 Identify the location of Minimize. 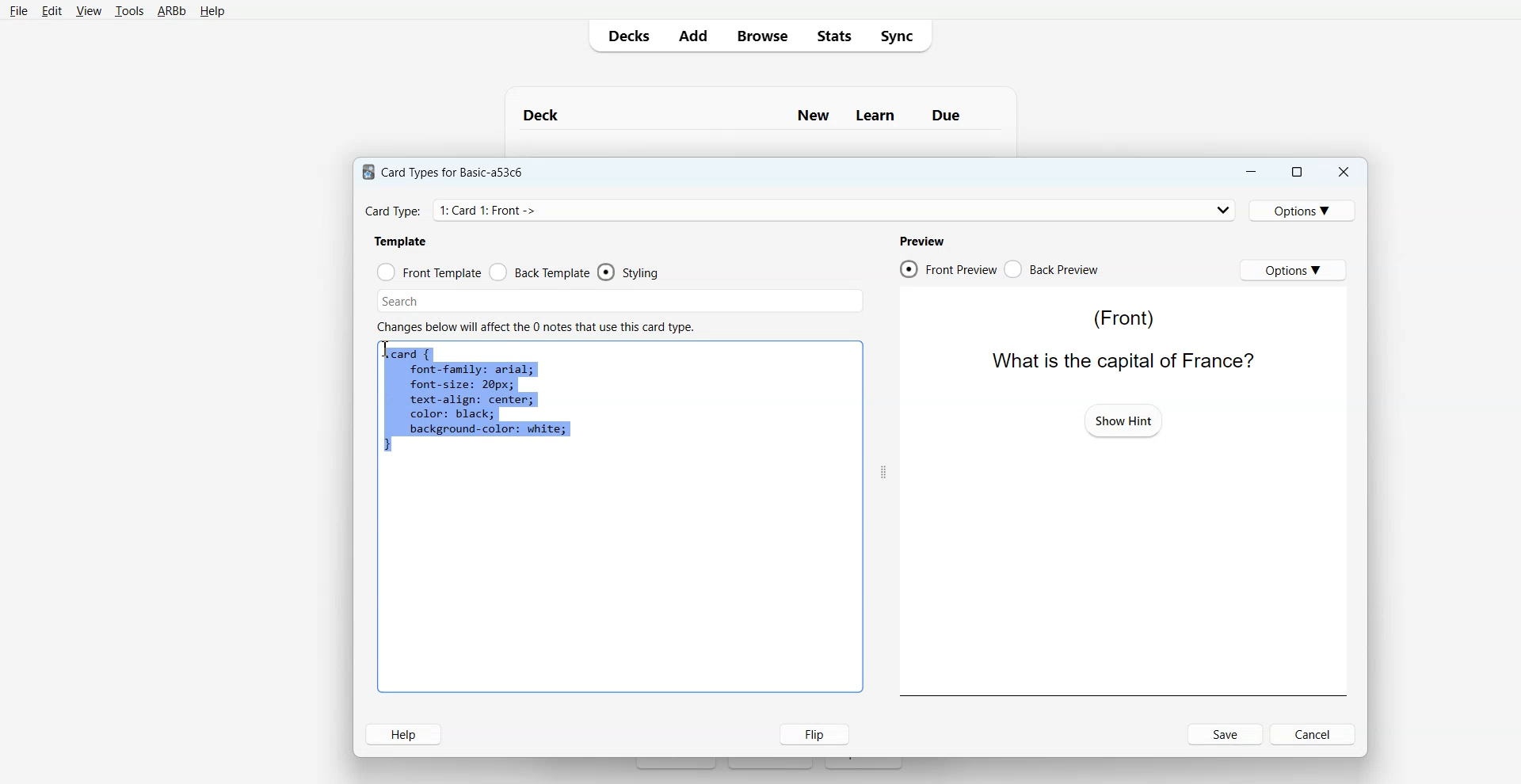
(1249, 172).